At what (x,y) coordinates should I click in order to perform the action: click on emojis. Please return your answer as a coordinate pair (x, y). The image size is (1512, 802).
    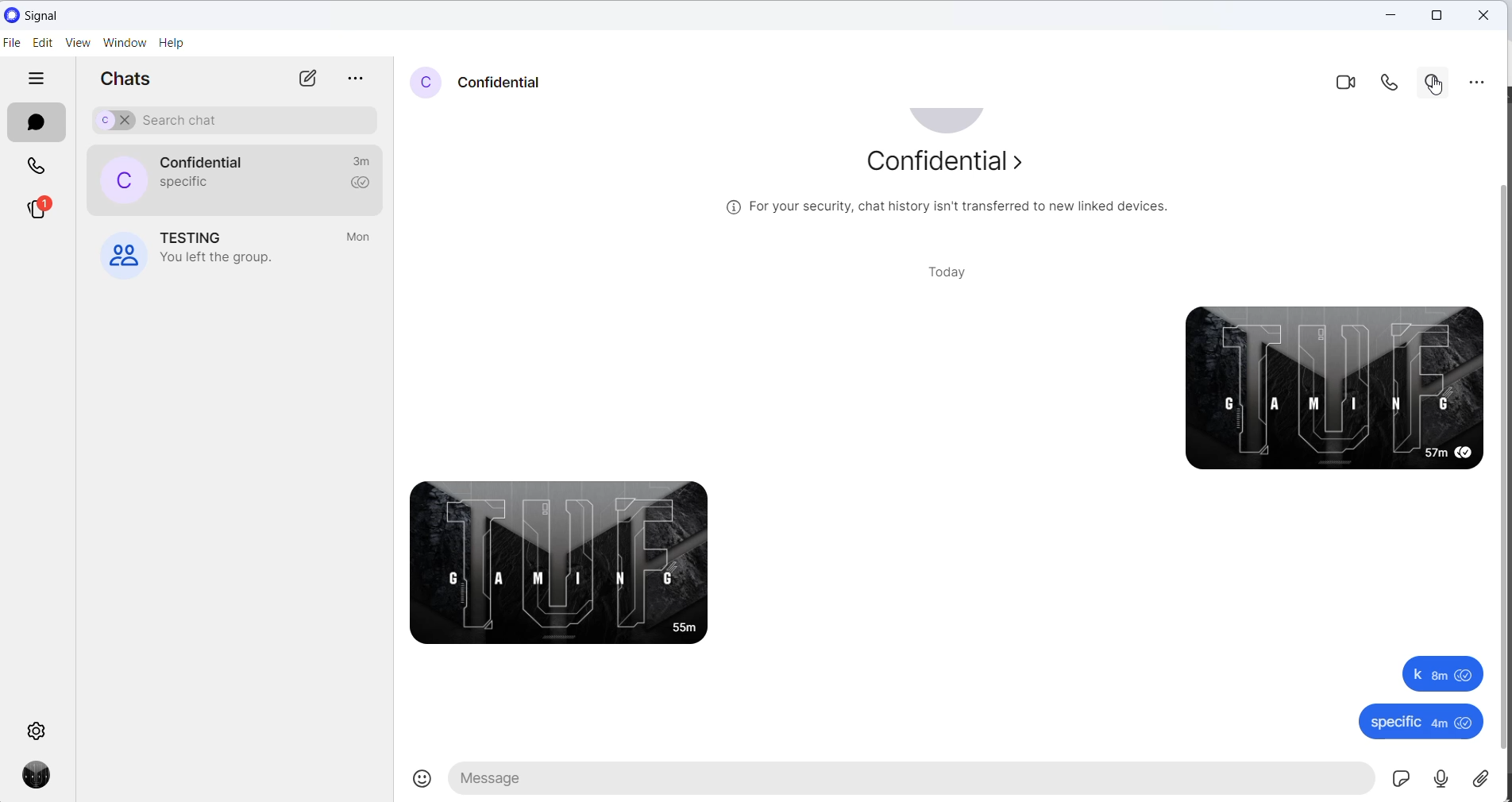
    Looking at the image, I should click on (424, 781).